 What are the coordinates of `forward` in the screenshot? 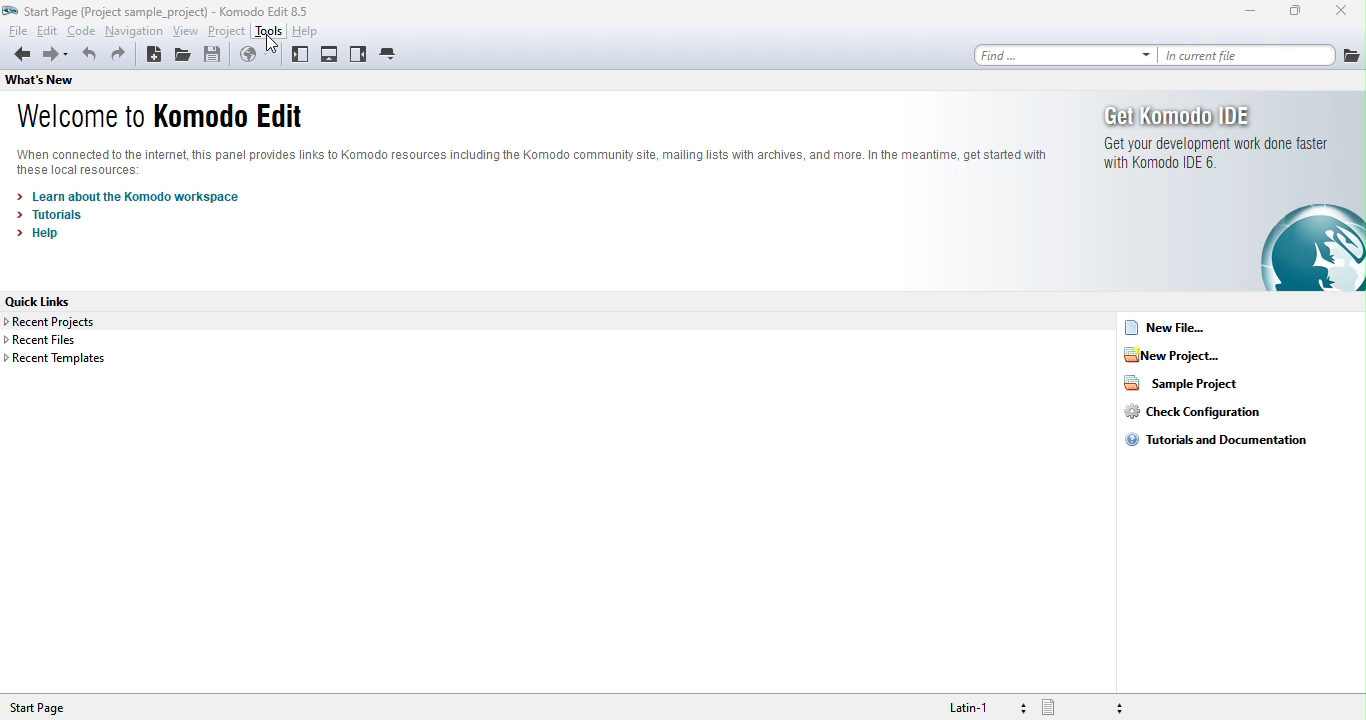 It's located at (57, 56).